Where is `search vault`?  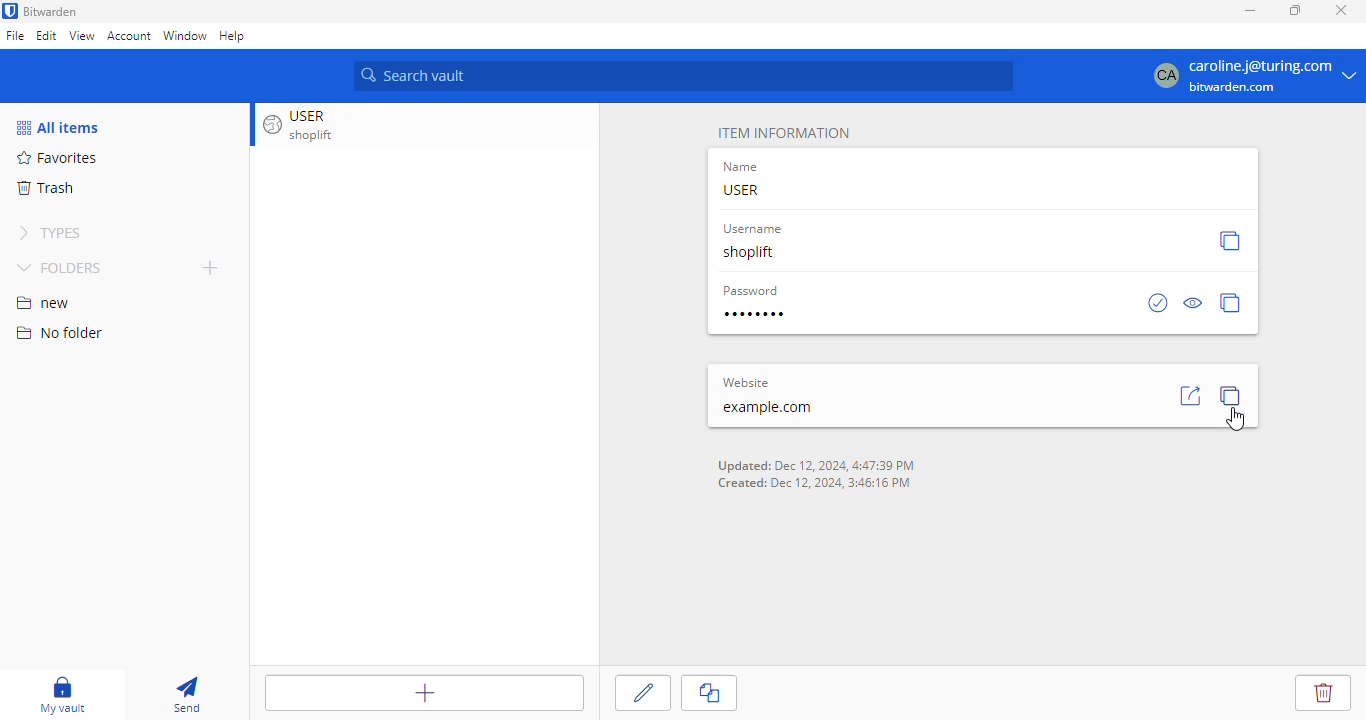
search vault is located at coordinates (684, 75).